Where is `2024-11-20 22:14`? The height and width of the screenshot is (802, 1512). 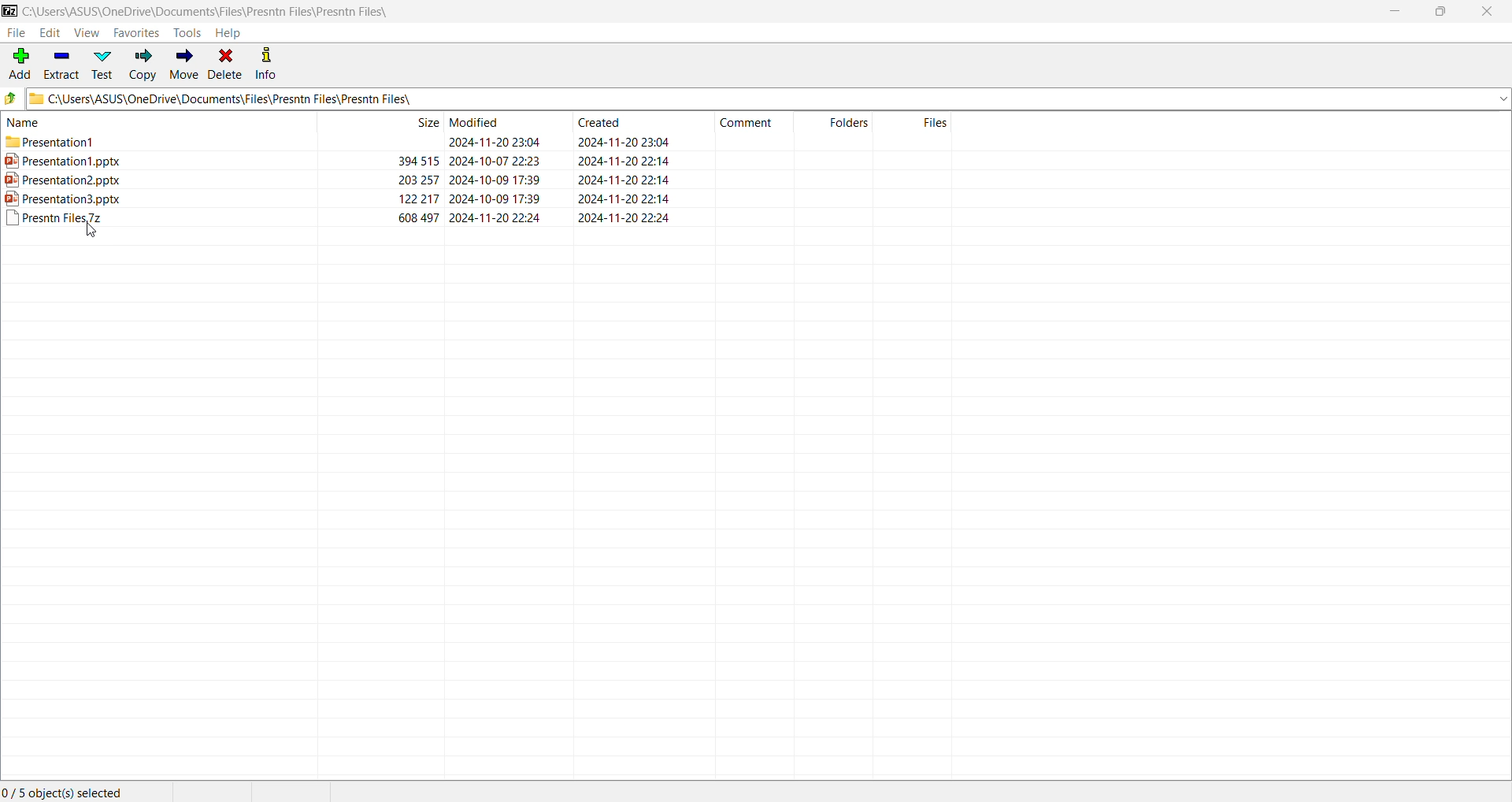 2024-11-20 22:14 is located at coordinates (621, 200).